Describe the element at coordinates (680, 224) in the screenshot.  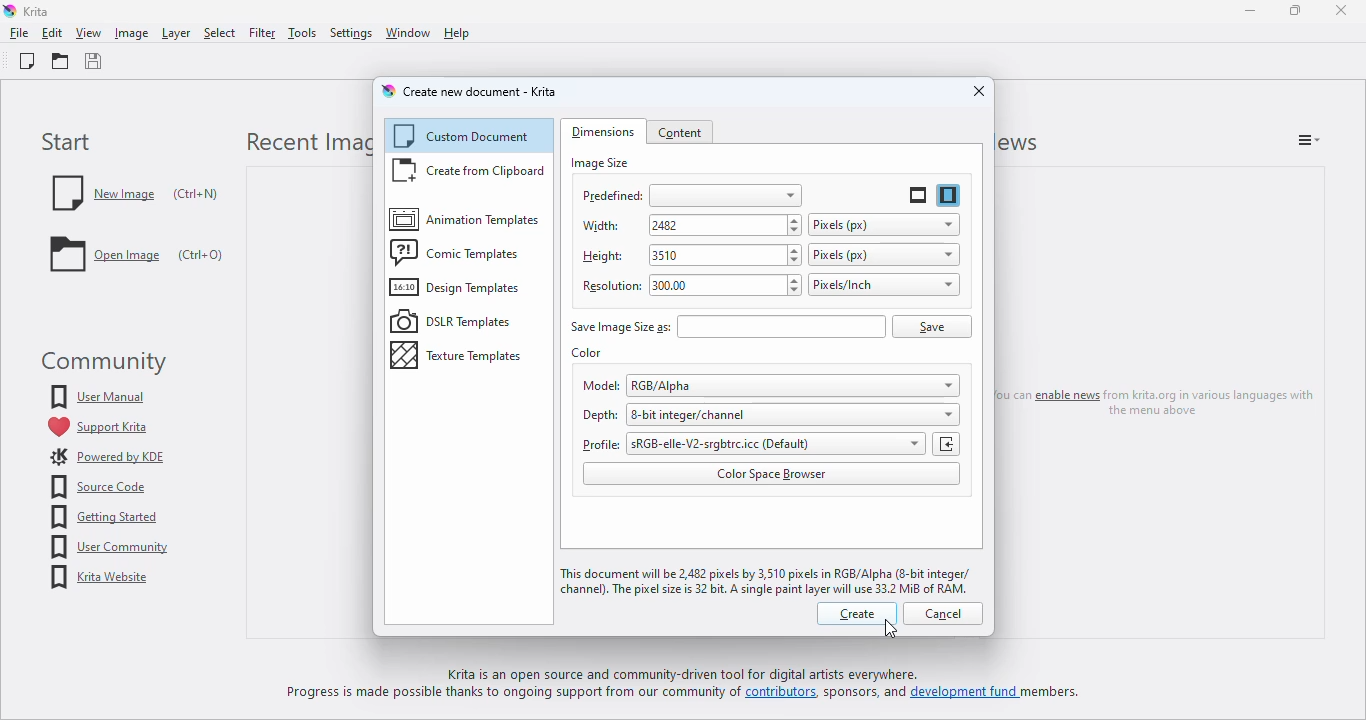
I see `width:  2482` at that location.